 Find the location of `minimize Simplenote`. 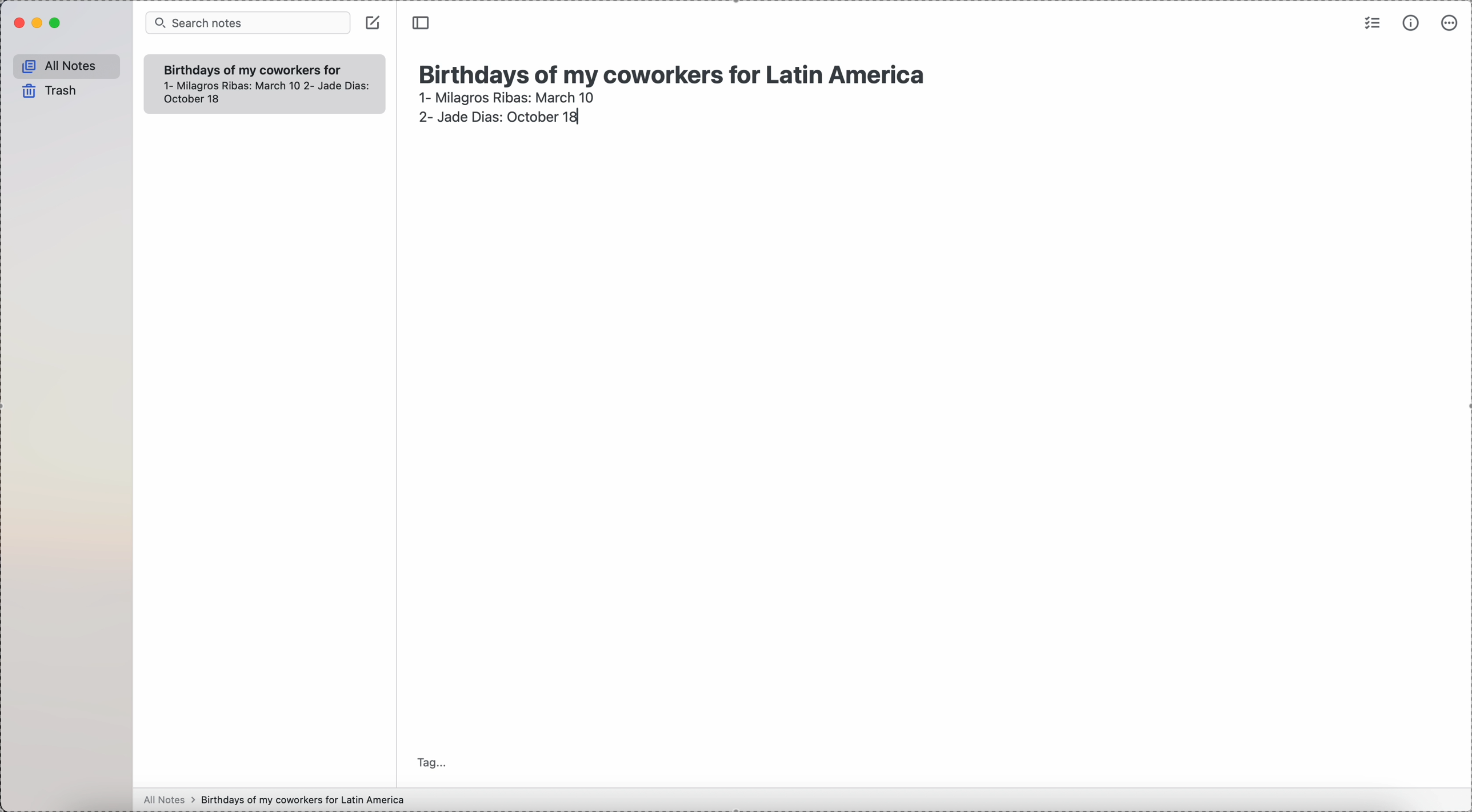

minimize Simplenote is located at coordinates (39, 24).